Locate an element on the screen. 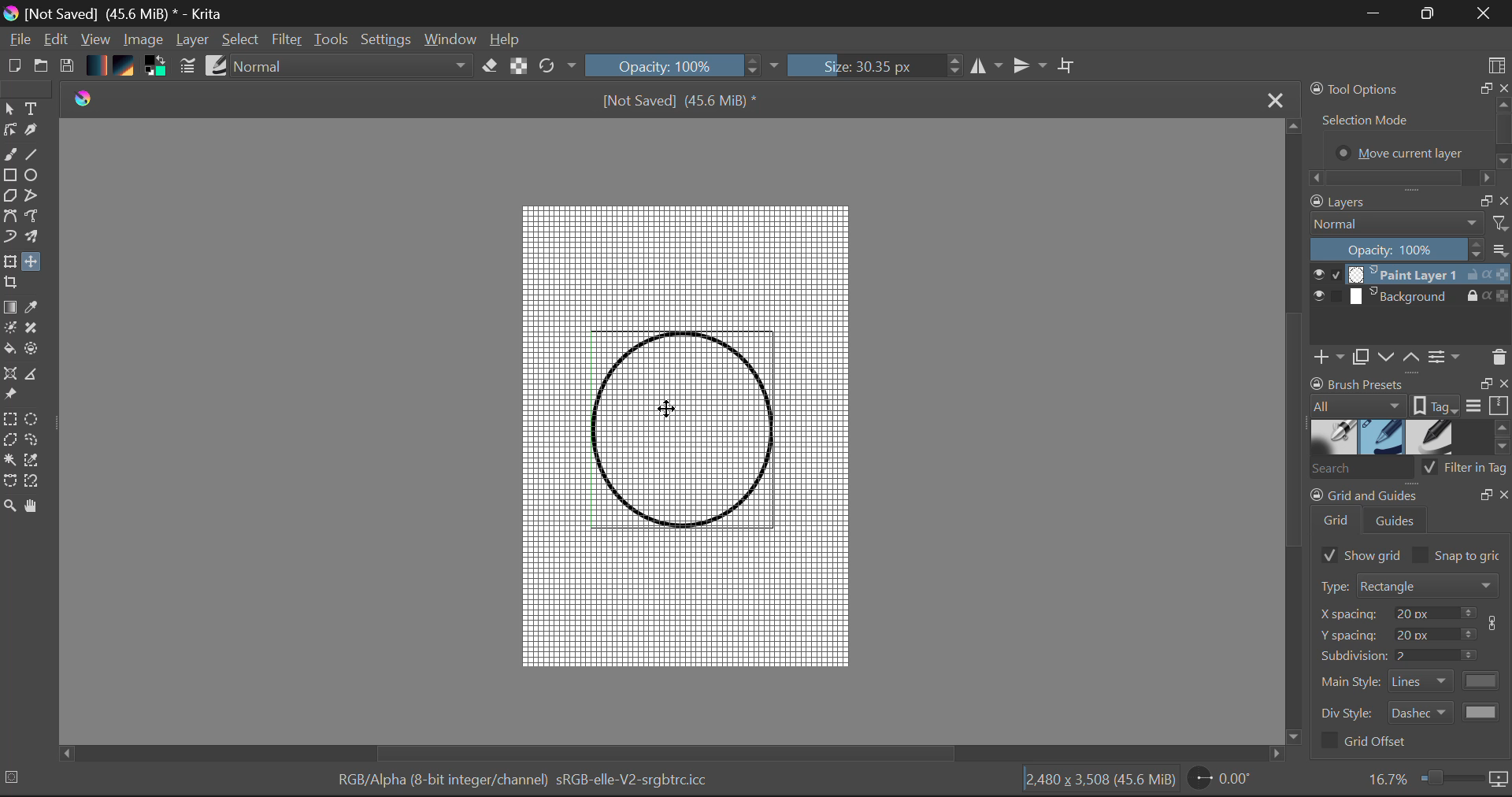 This screenshot has height=797, width=1512. Freehand Selection is located at coordinates (34, 440).